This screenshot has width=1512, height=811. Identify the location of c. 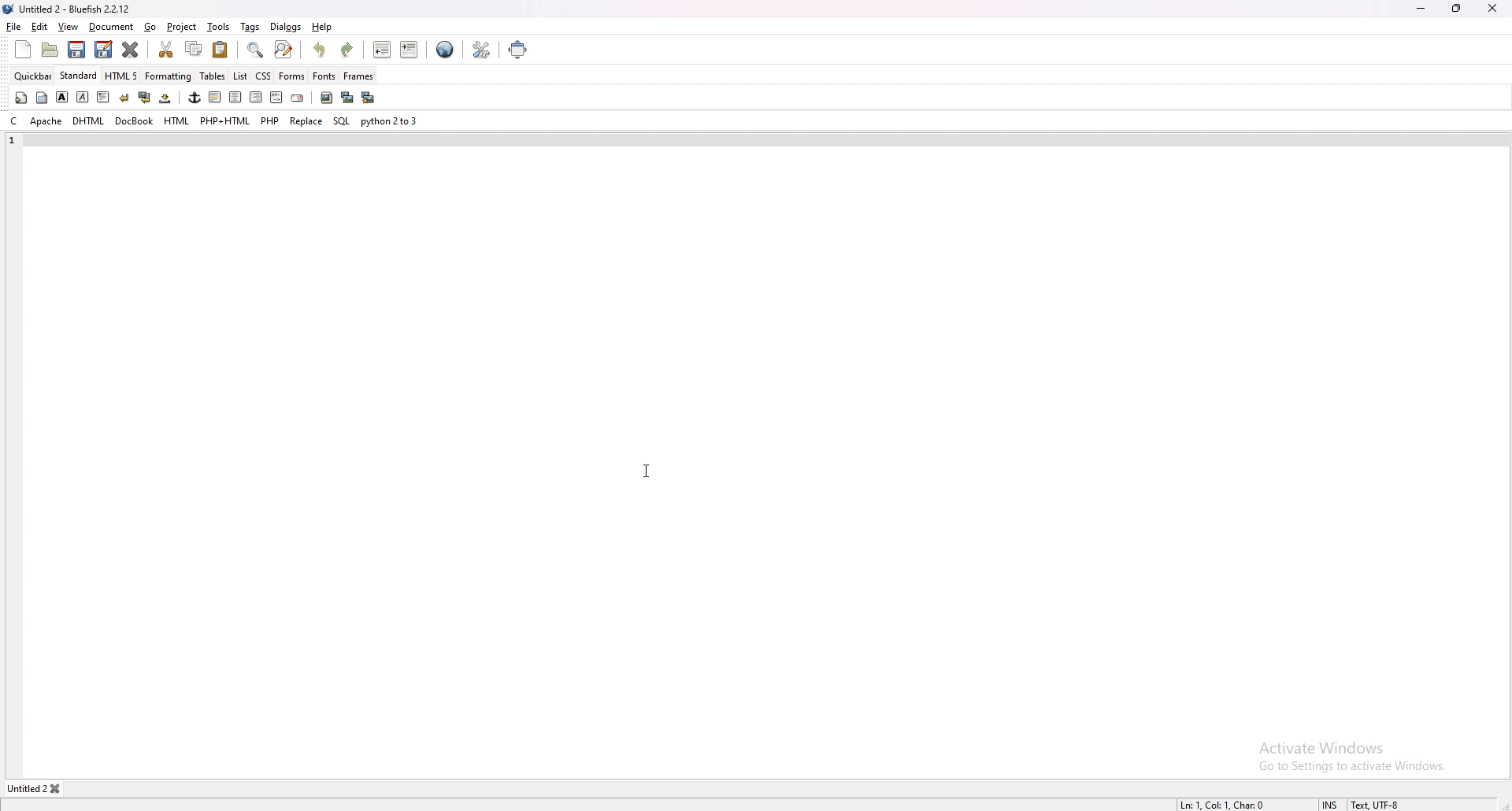
(14, 120).